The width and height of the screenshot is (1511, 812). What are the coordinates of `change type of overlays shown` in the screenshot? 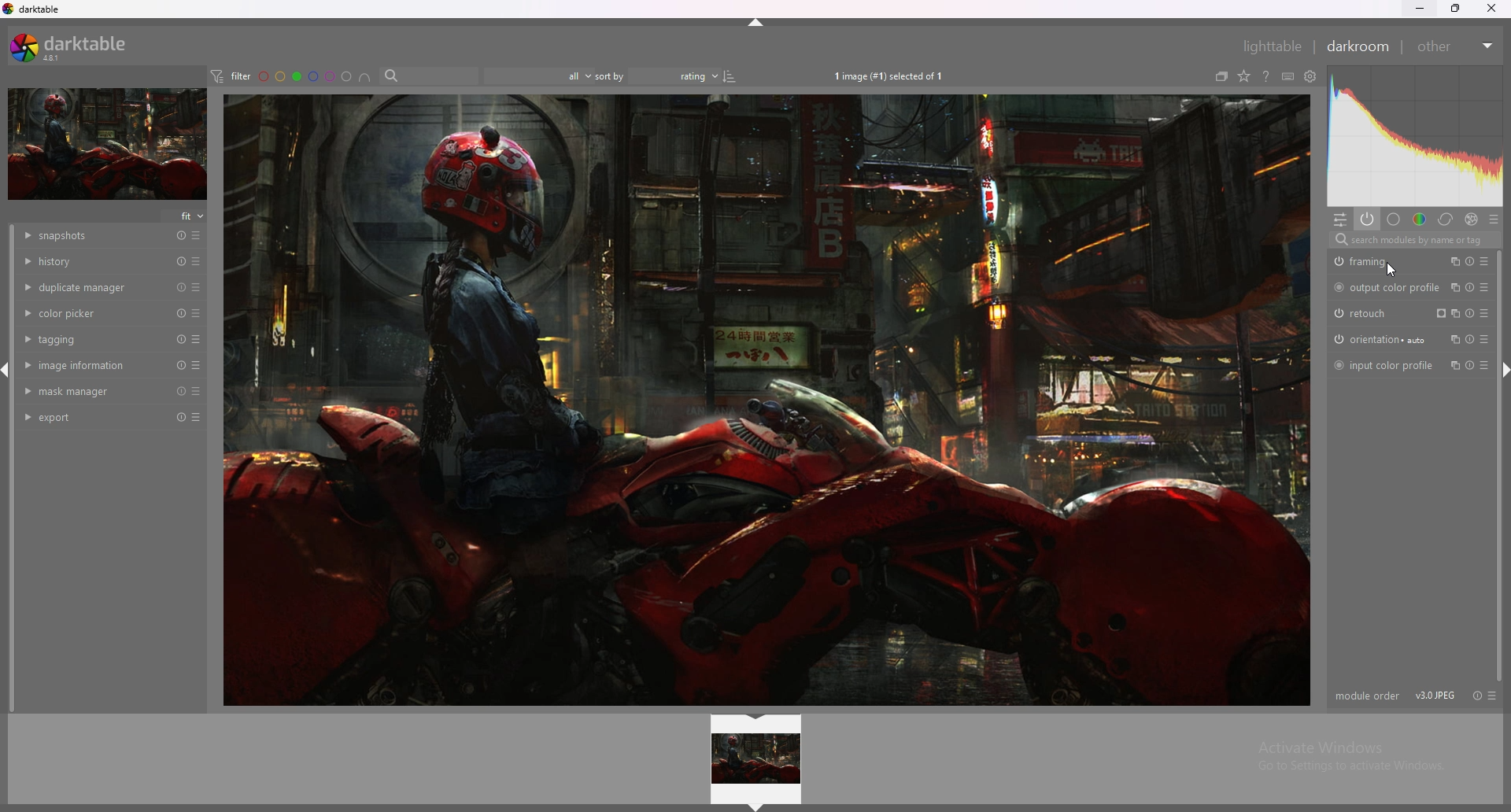 It's located at (1243, 76).